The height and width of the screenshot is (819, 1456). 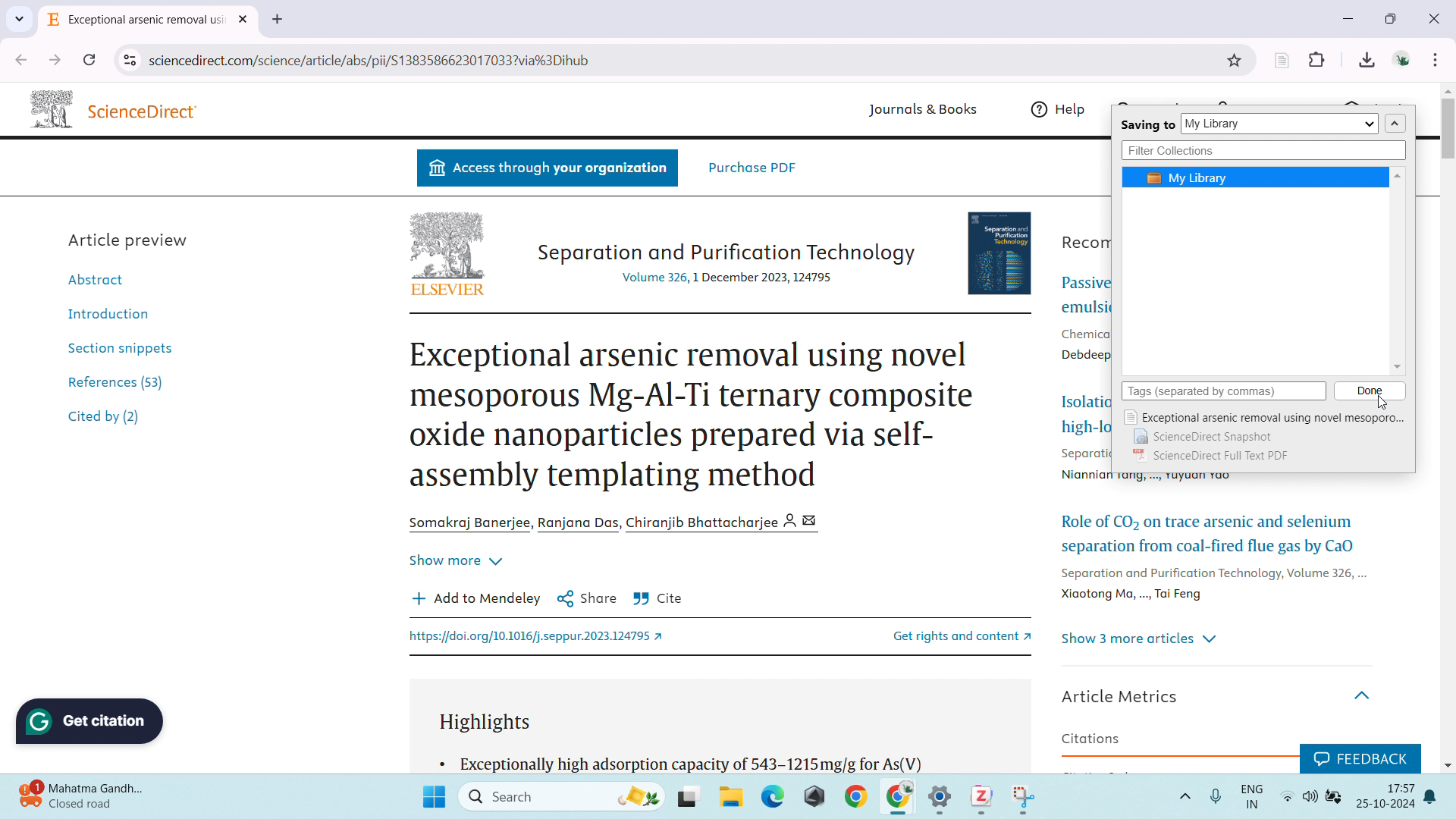 What do you see at coordinates (19, 19) in the screenshot?
I see `search for tabs` at bounding box center [19, 19].